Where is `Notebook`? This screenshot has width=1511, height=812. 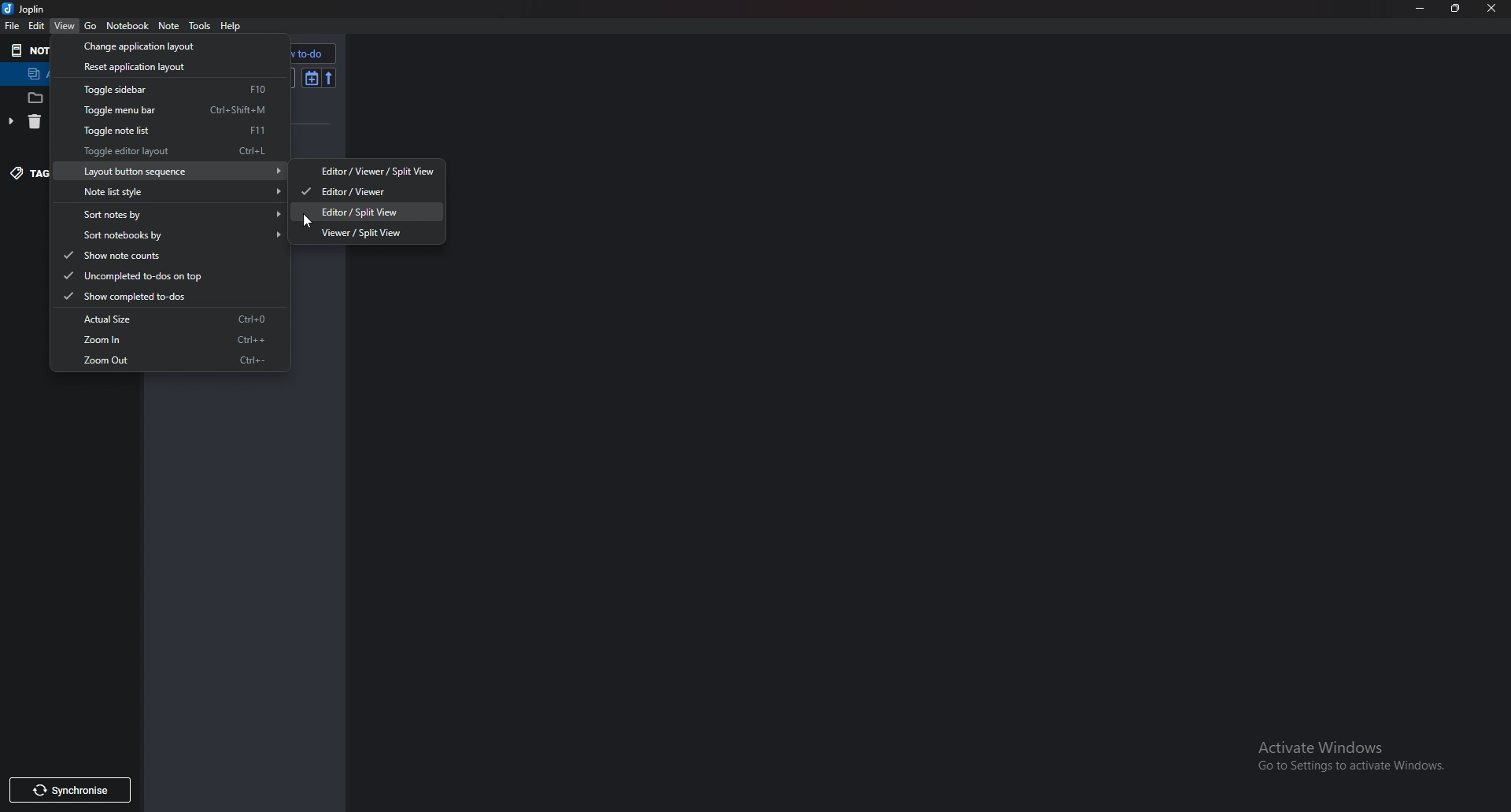
Notebook is located at coordinates (127, 25).